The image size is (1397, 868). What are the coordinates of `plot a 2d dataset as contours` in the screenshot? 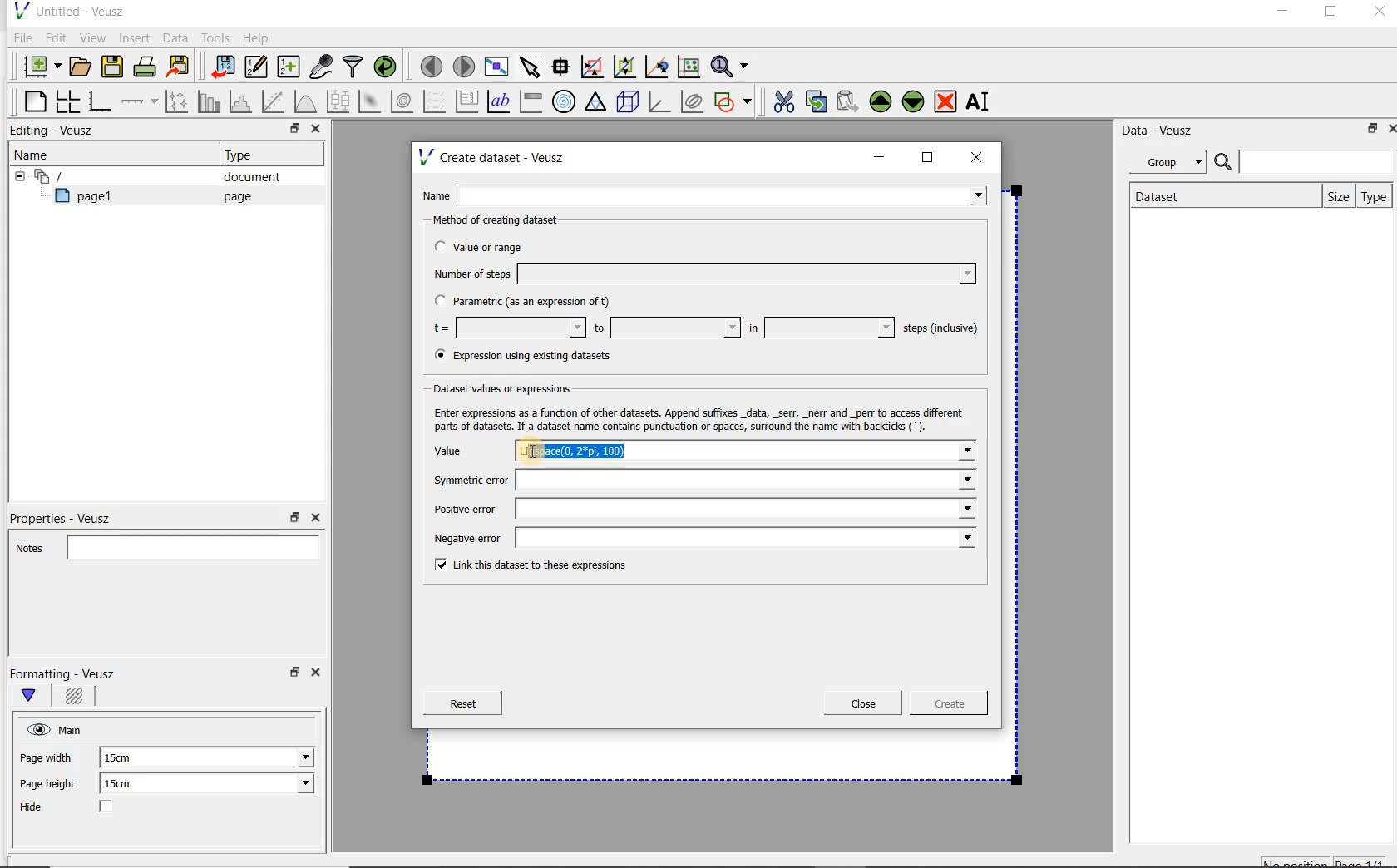 It's located at (403, 101).